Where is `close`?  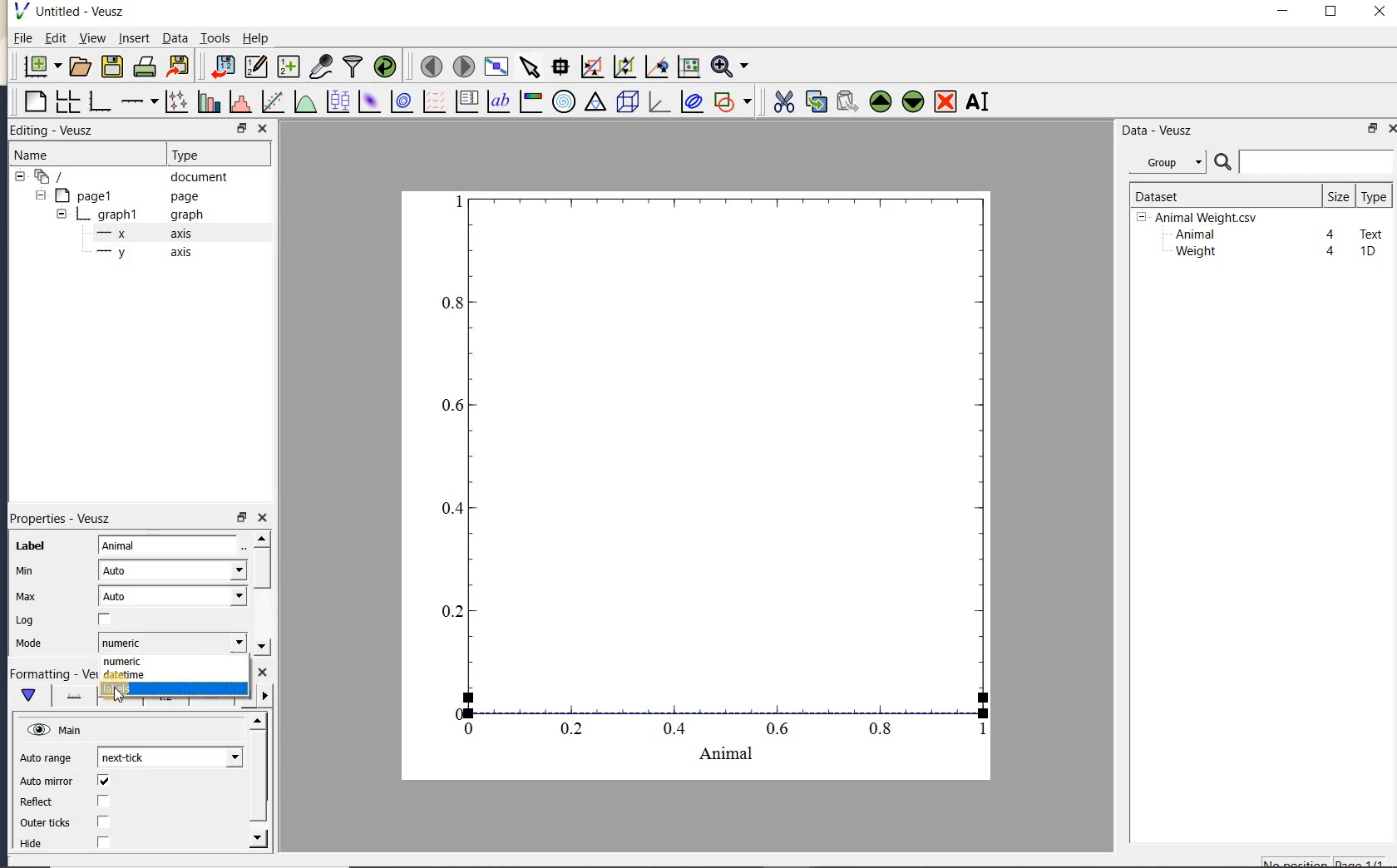
close is located at coordinates (263, 673).